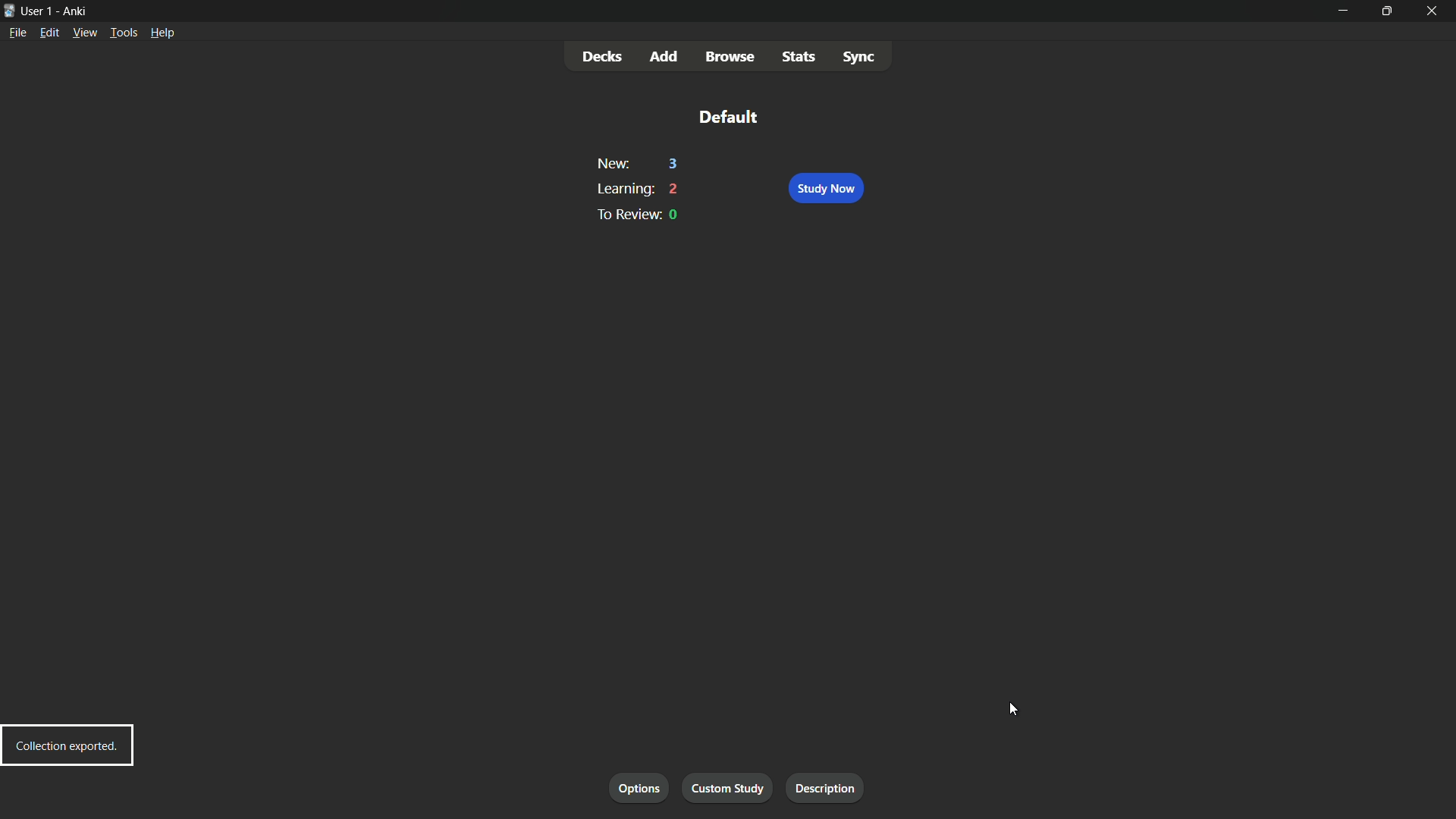  What do you see at coordinates (733, 788) in the screenshot?
I see `create desk` at bounding box center [733, 788].